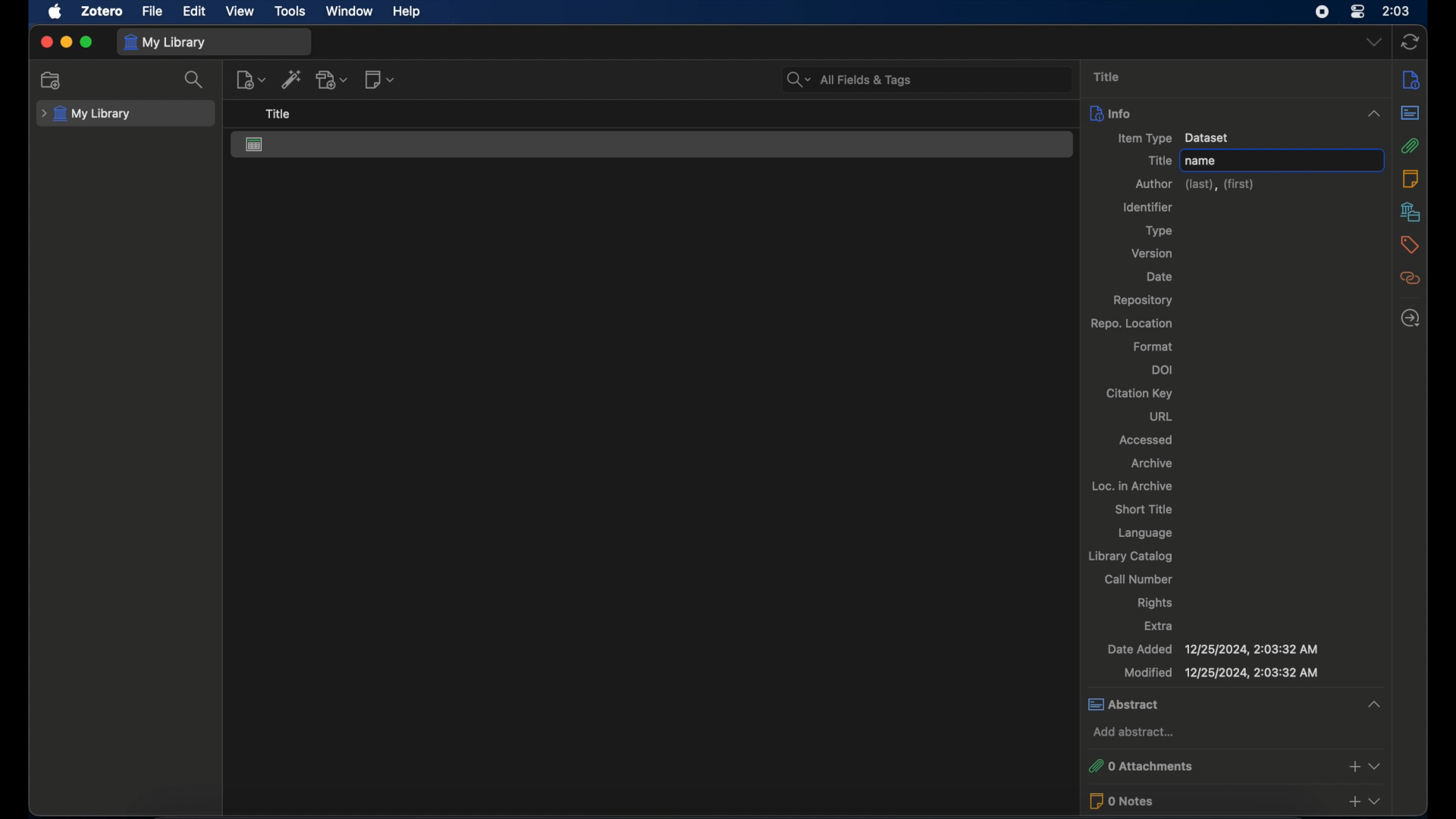  Describe the element at coordinates (87, 42) in the screenshot. I see `maximize` at that location.